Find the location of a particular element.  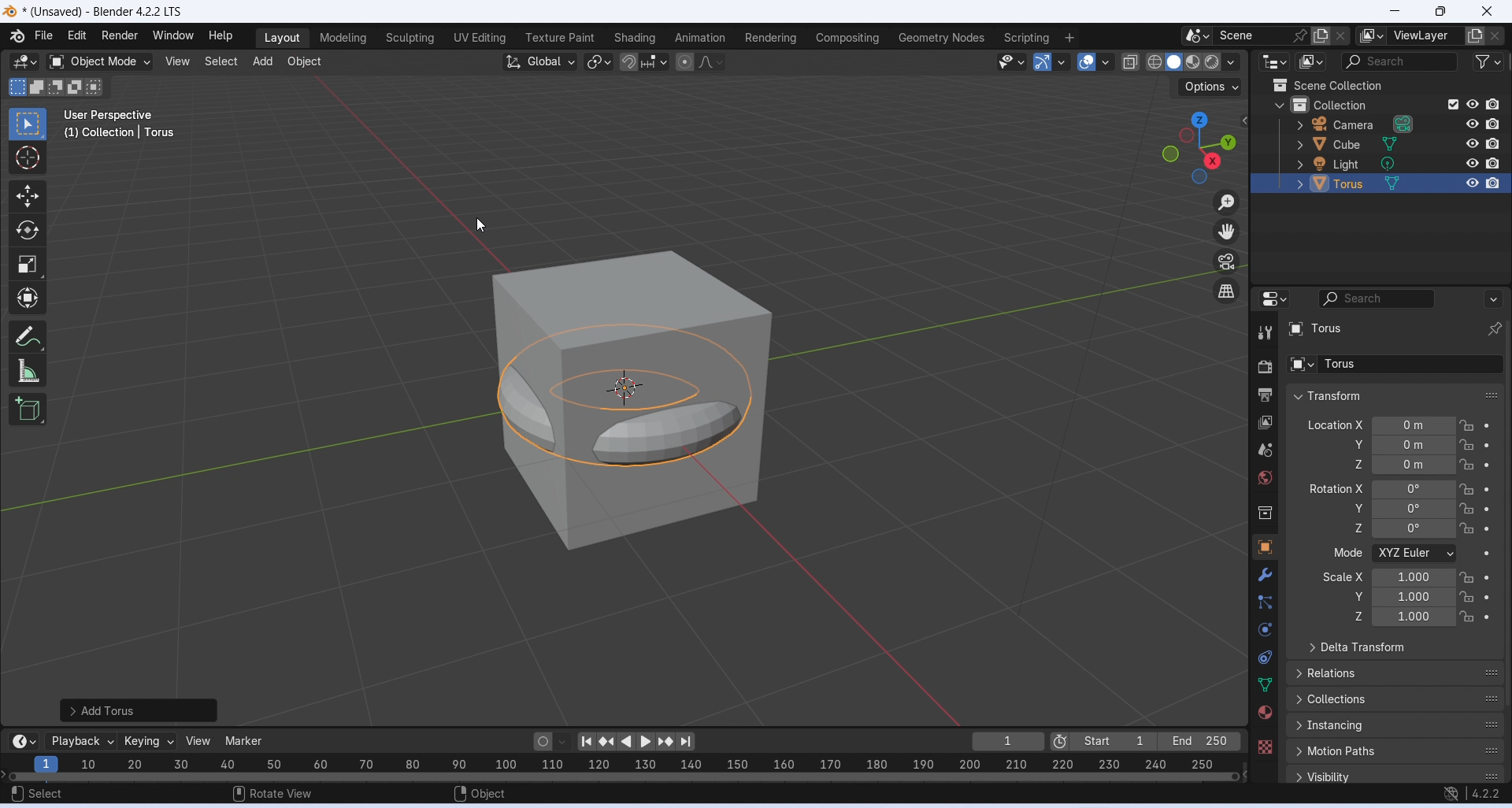

Data is located at coordinates (1266, 685).